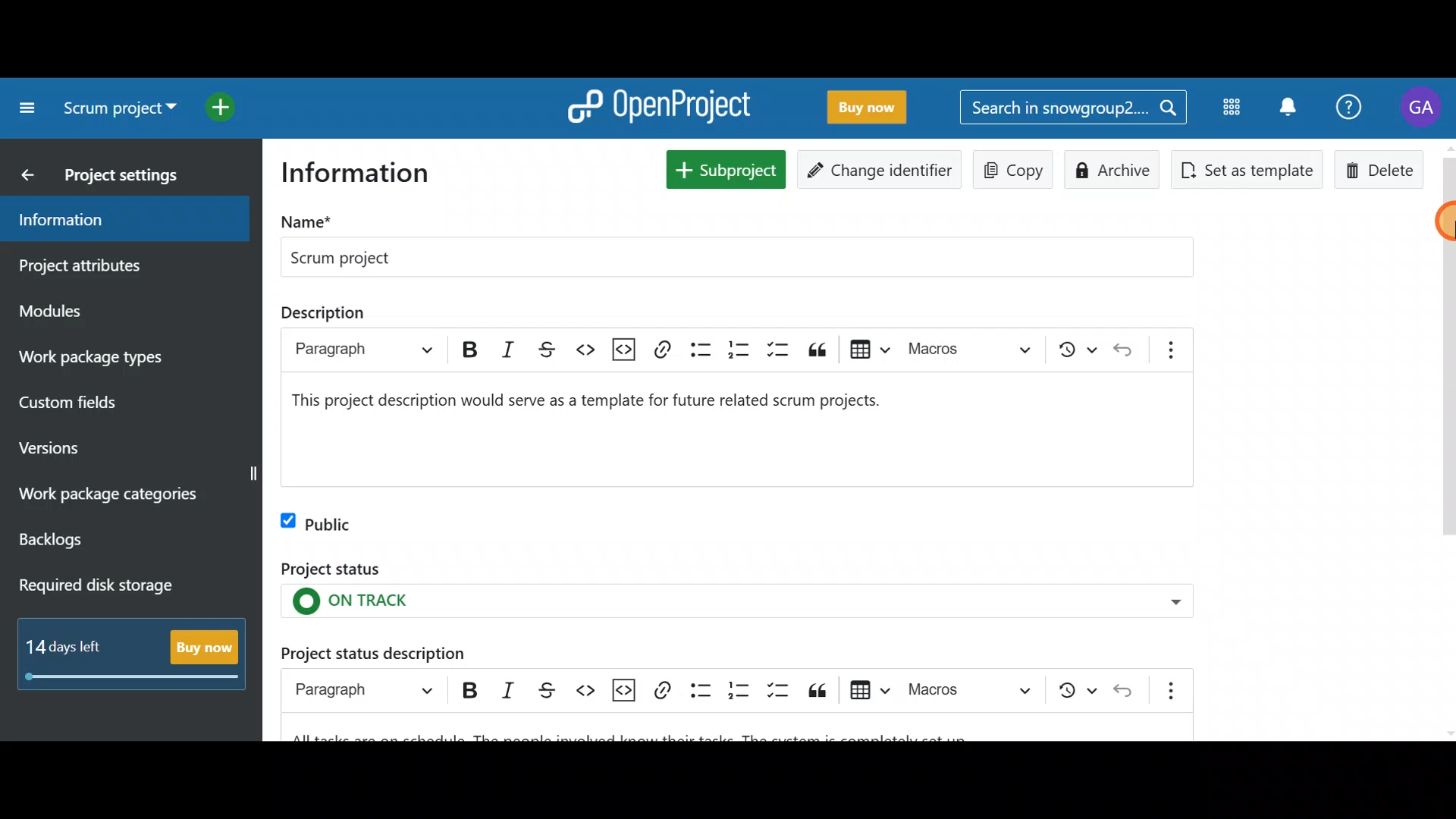 The width and height of the screenshot is (1456, 819). I want to click on Work package types, so click(122, 356).